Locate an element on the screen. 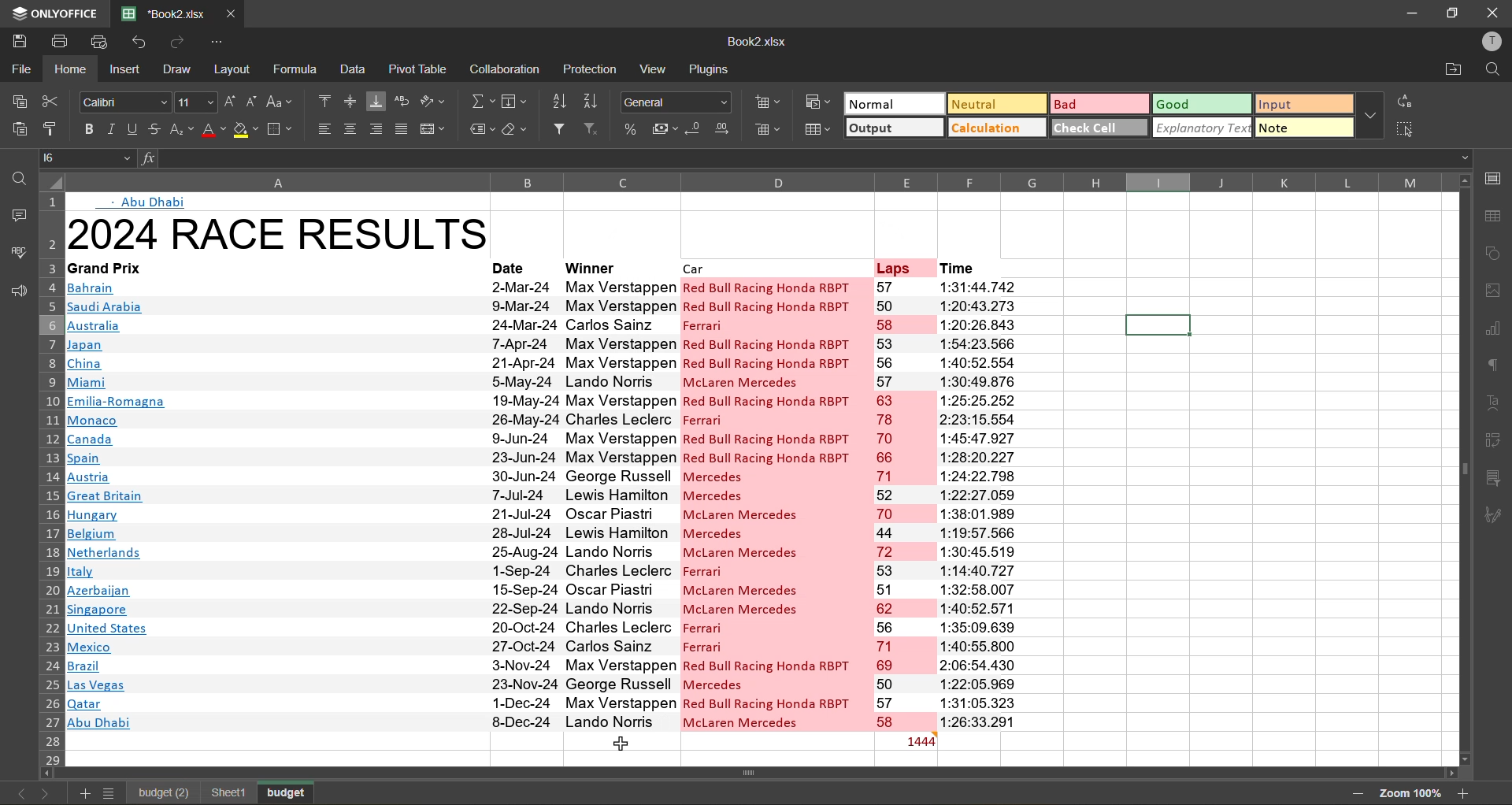  select all is located at coordinates (1406, 129).